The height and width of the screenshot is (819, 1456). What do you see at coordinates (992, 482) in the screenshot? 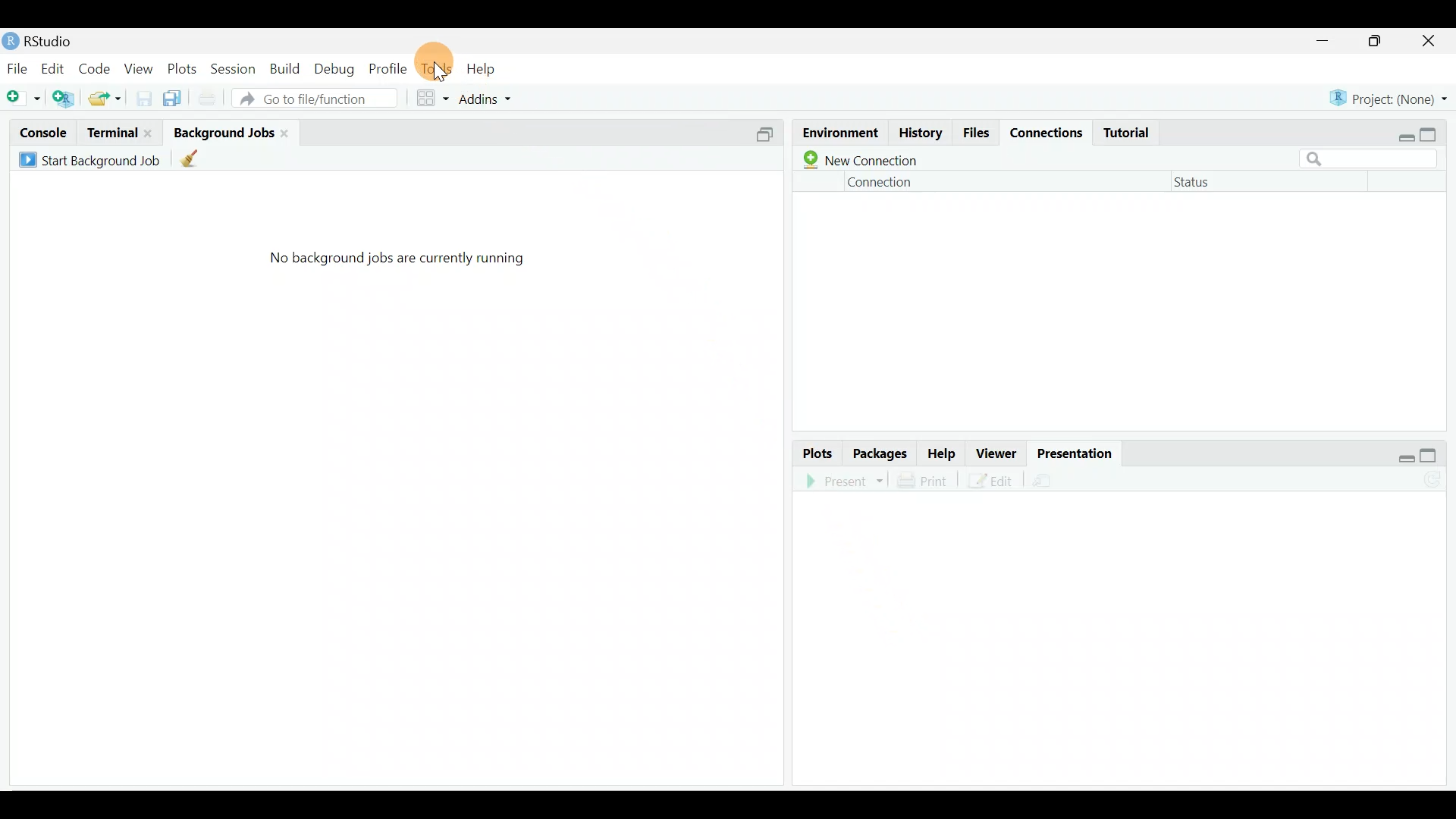
I see `Edit` at bounding box center [992, 482].